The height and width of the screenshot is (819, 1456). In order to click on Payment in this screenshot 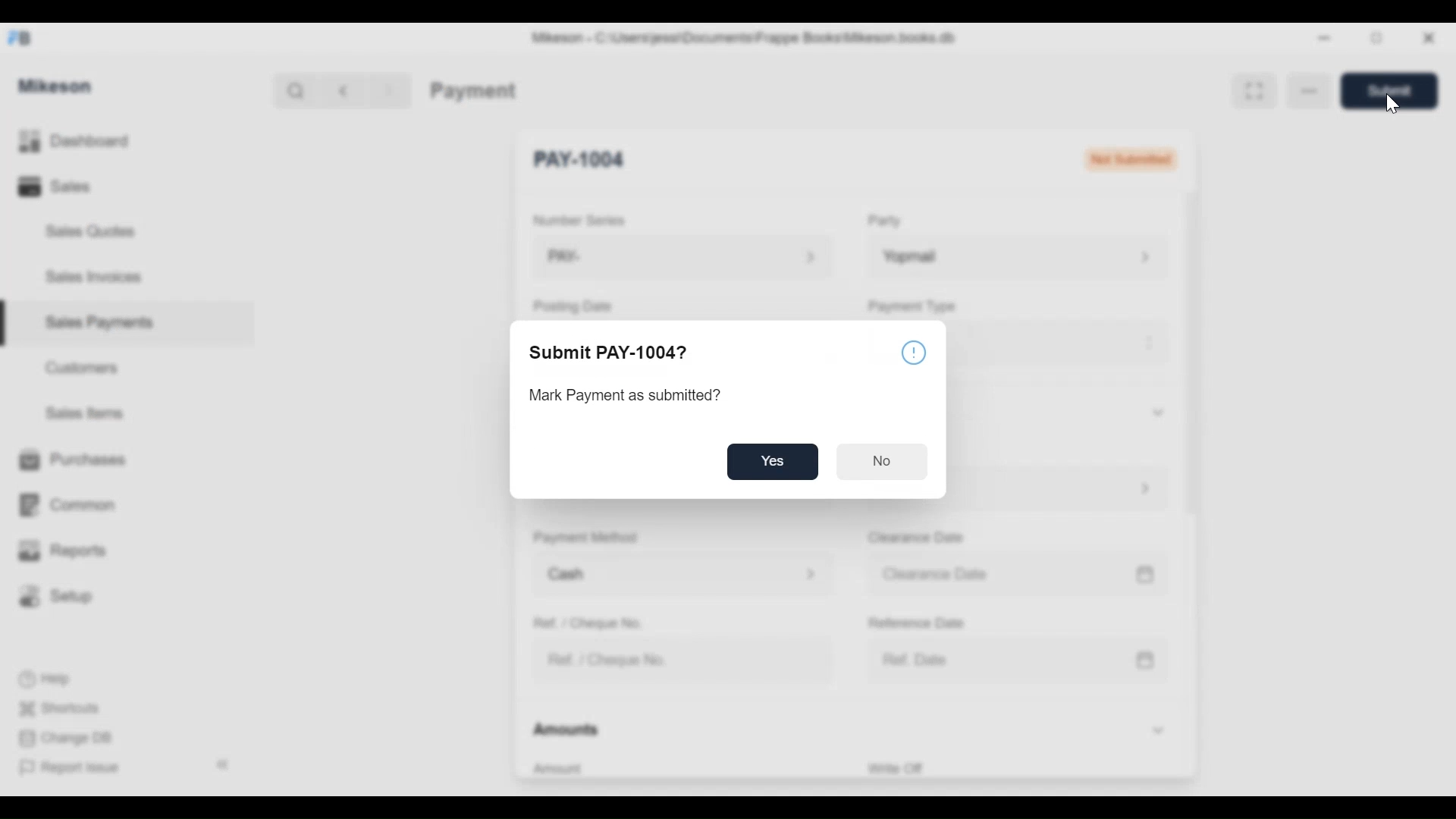, I will do `click(472, 89)`.